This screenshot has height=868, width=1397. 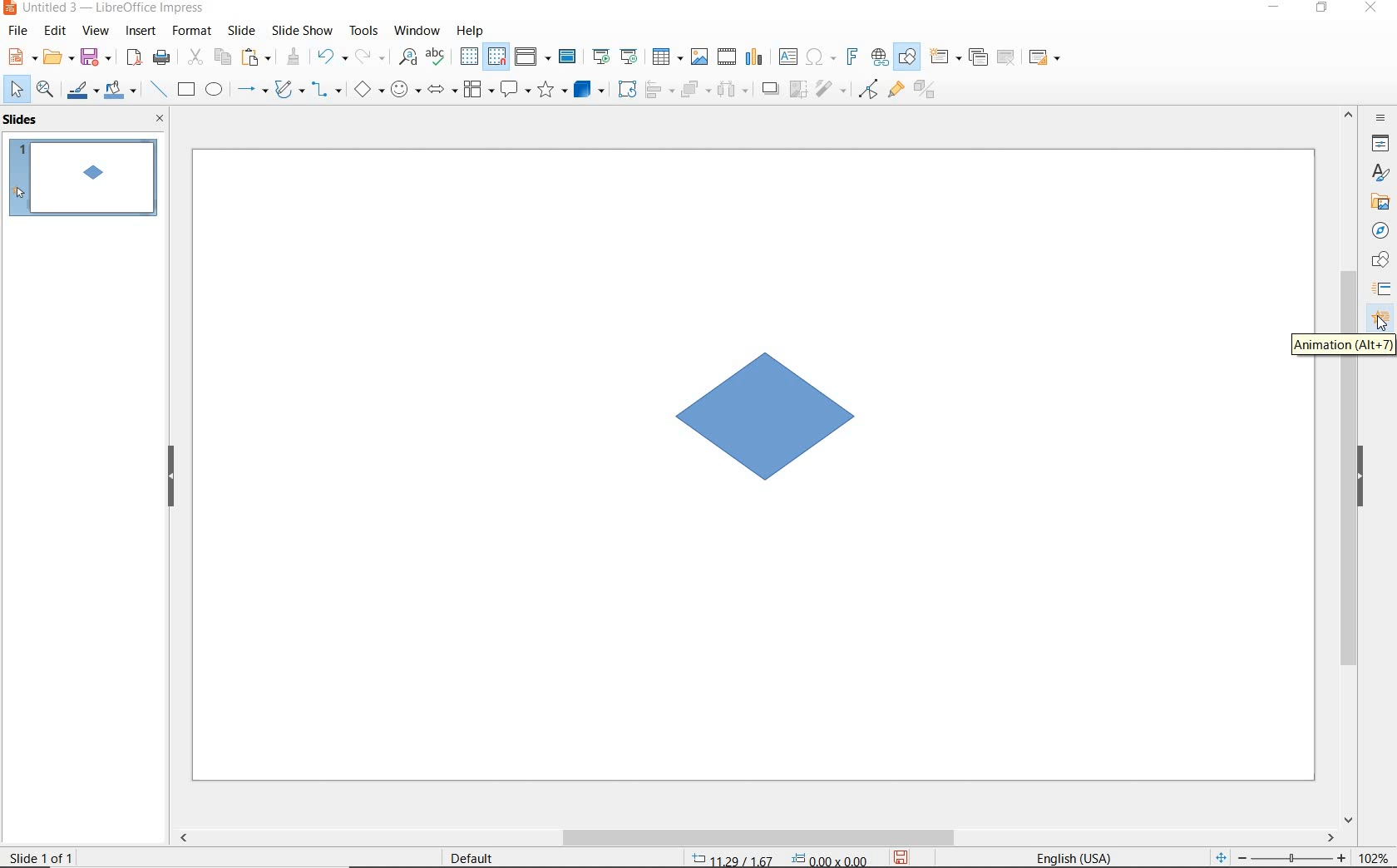 I want to click on cut, so click(x=195, y=57).